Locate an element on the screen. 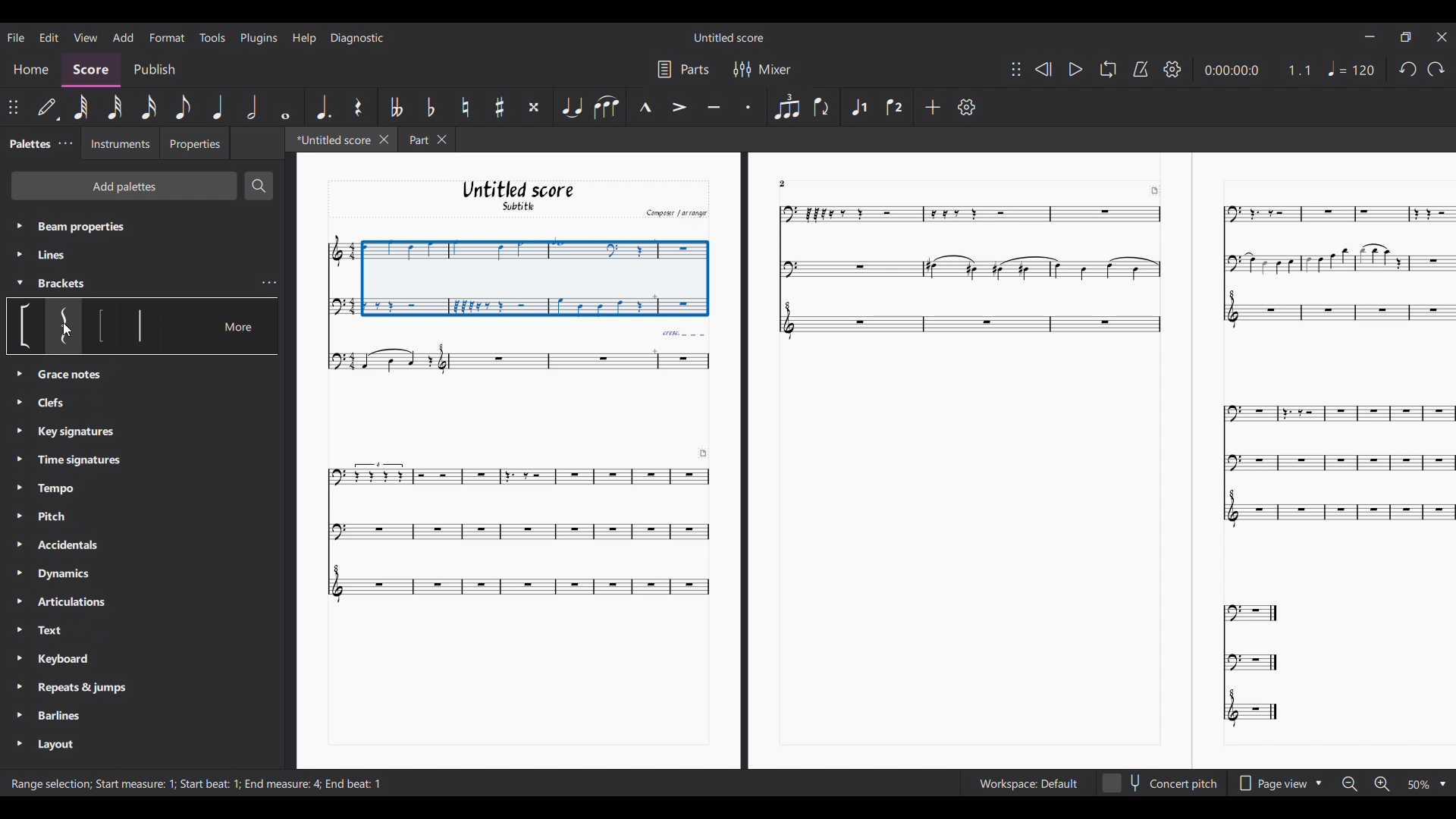  Score  is located at coordinates (92, 71).